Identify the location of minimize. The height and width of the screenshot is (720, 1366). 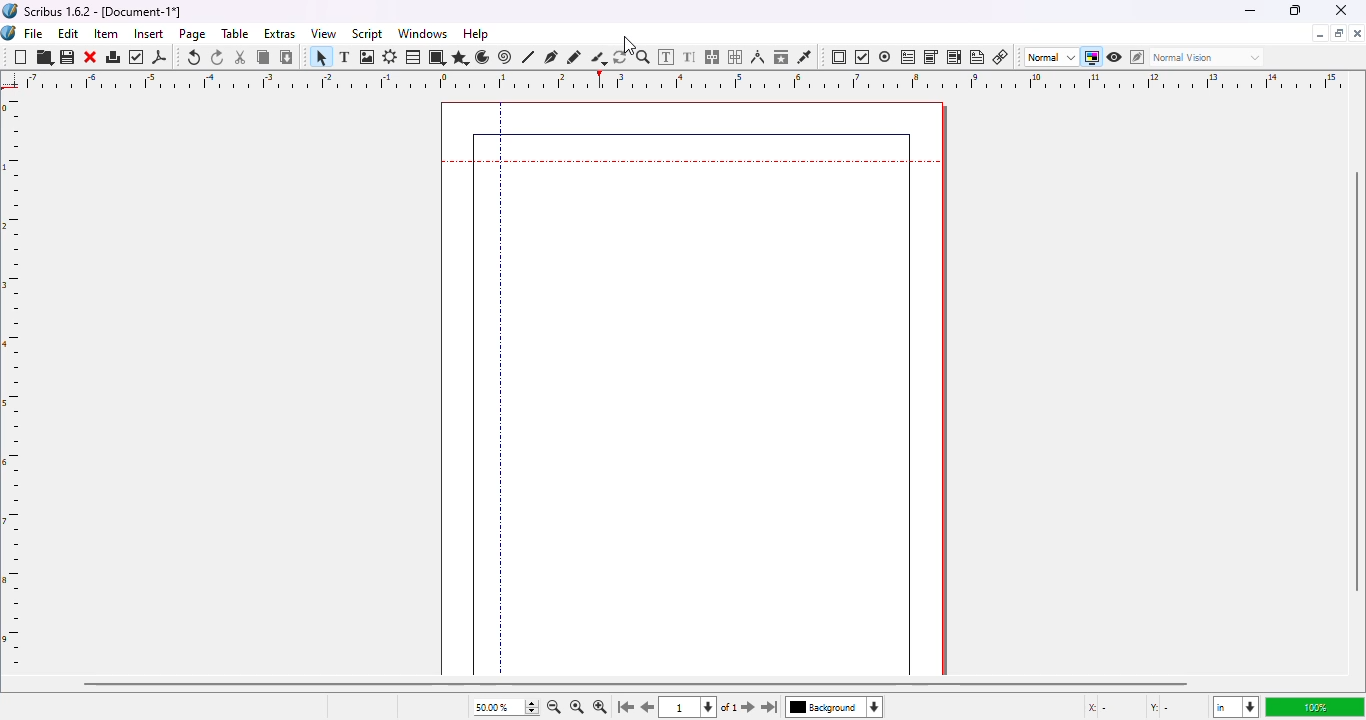
(1249, 10).